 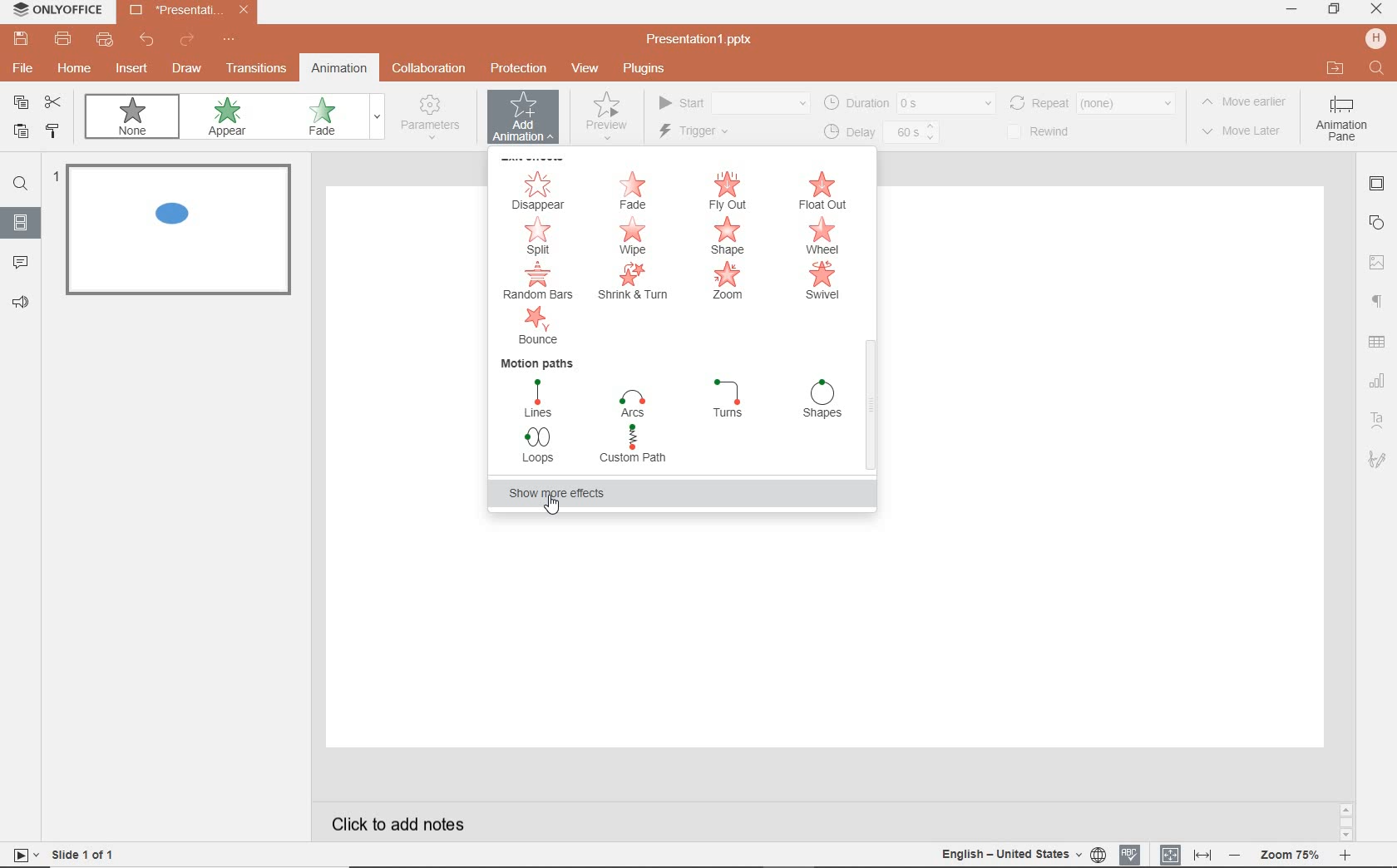 I want to click on FIND, so click(x=1379, y=71).